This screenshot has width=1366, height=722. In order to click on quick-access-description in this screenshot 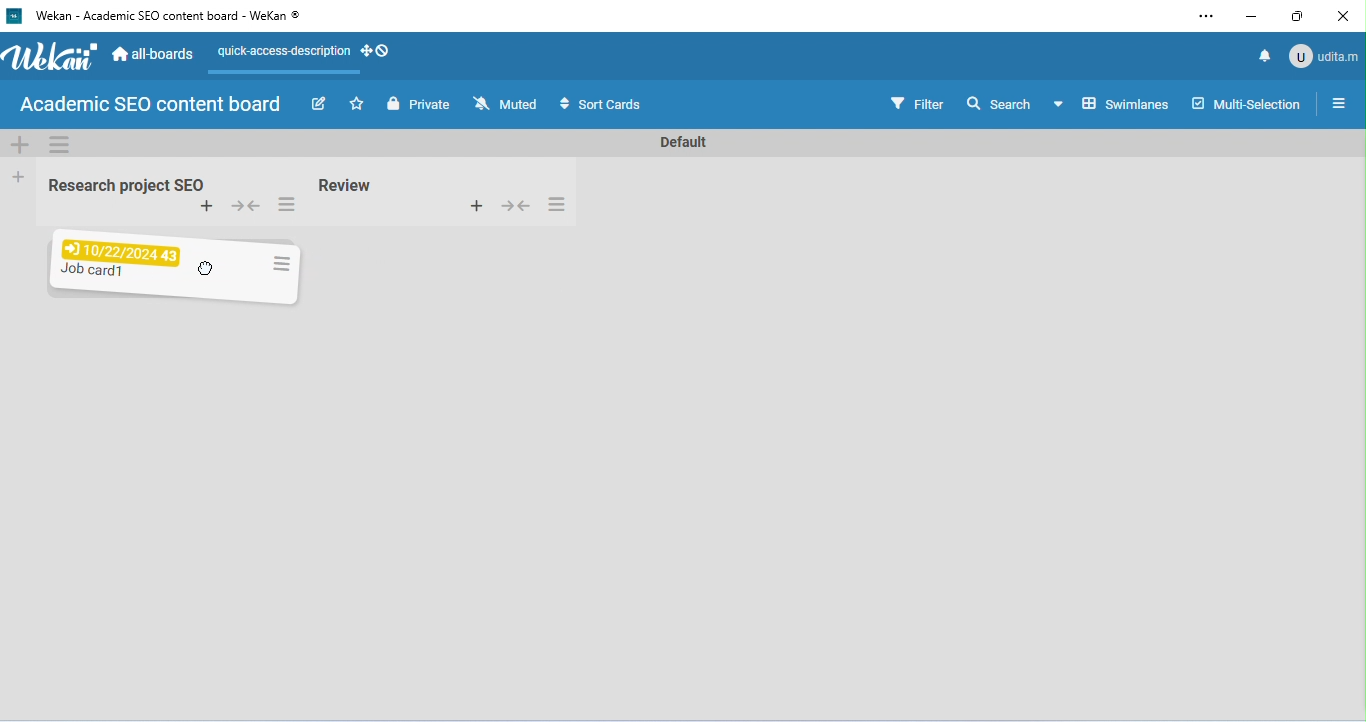, I will do `click(281, 54)`.